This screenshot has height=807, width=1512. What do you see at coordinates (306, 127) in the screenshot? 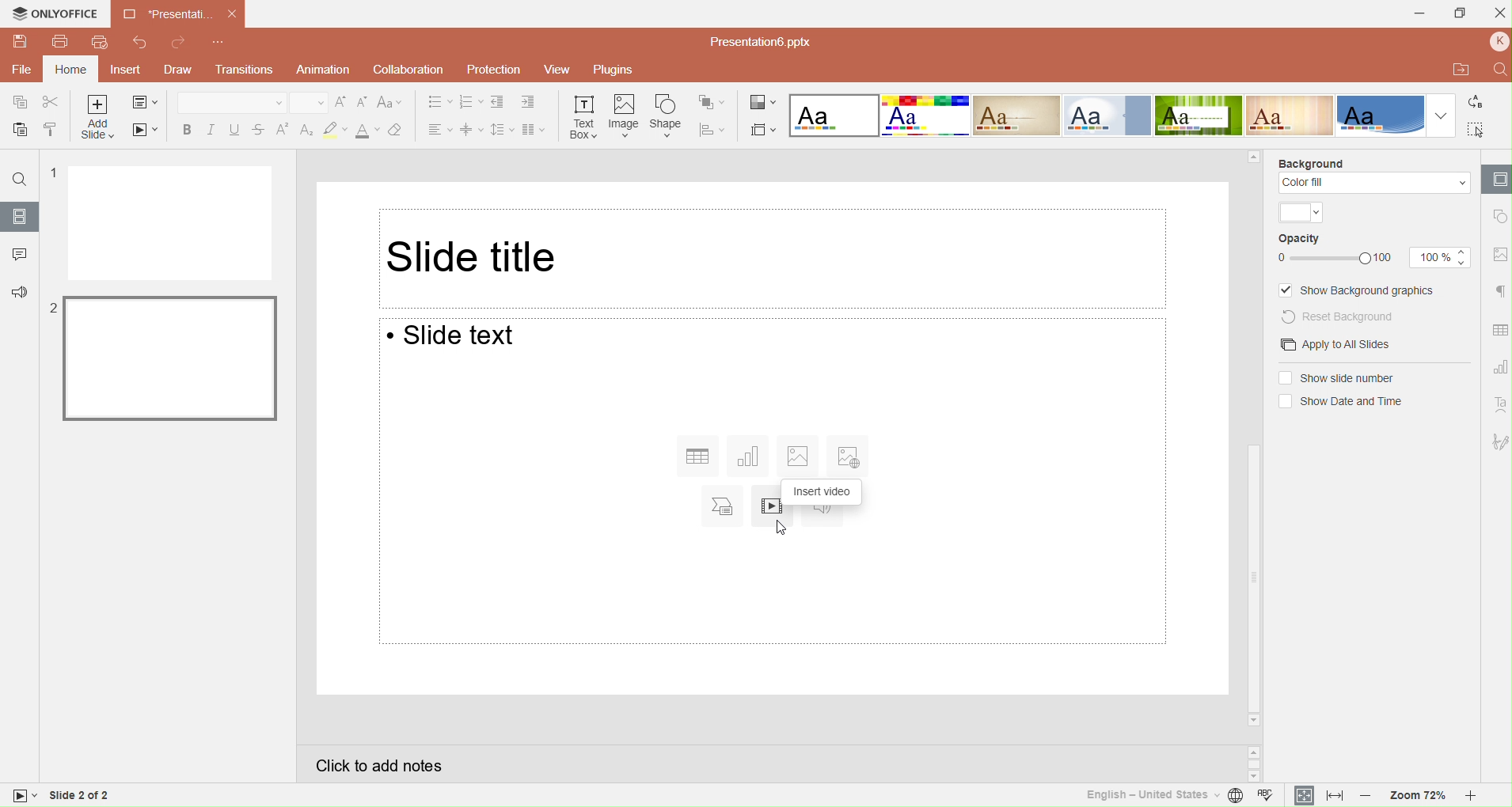
I see `Subscript` at bounding box center [306, 127].